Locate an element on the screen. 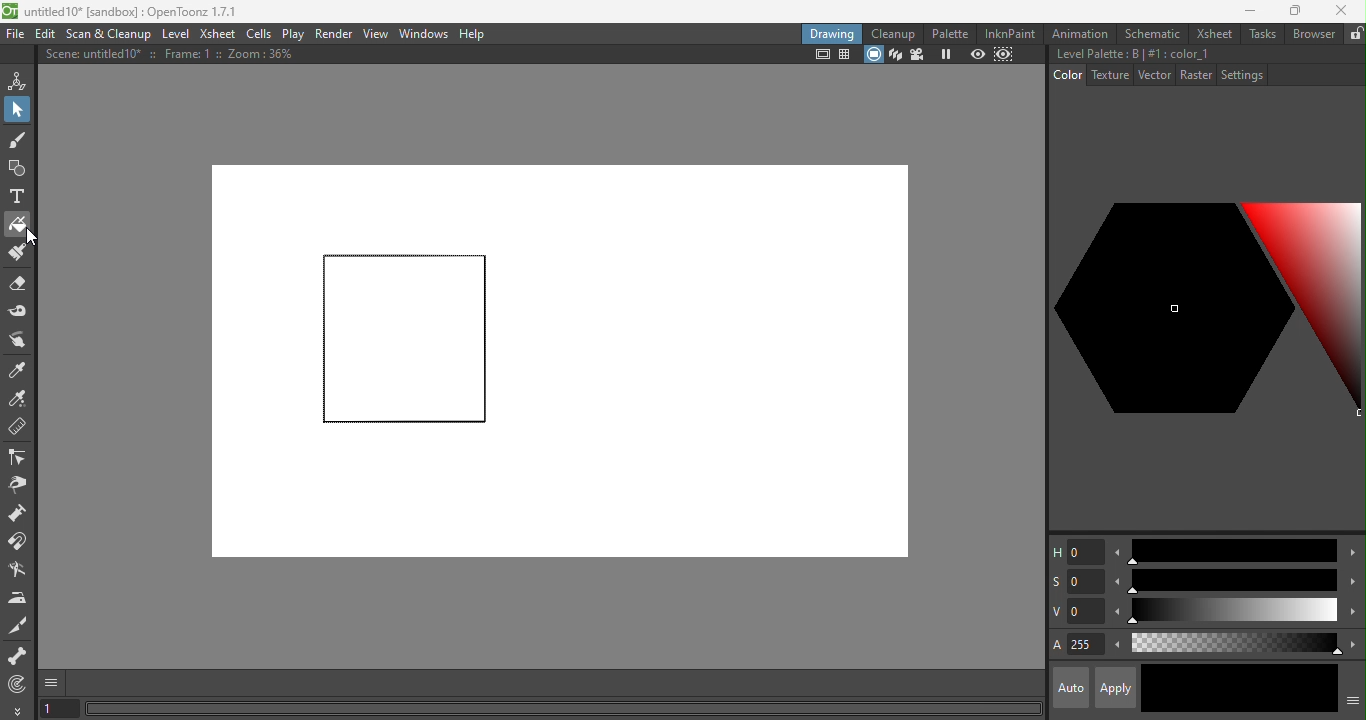  Selection tool is located at coordinates (17, 108).